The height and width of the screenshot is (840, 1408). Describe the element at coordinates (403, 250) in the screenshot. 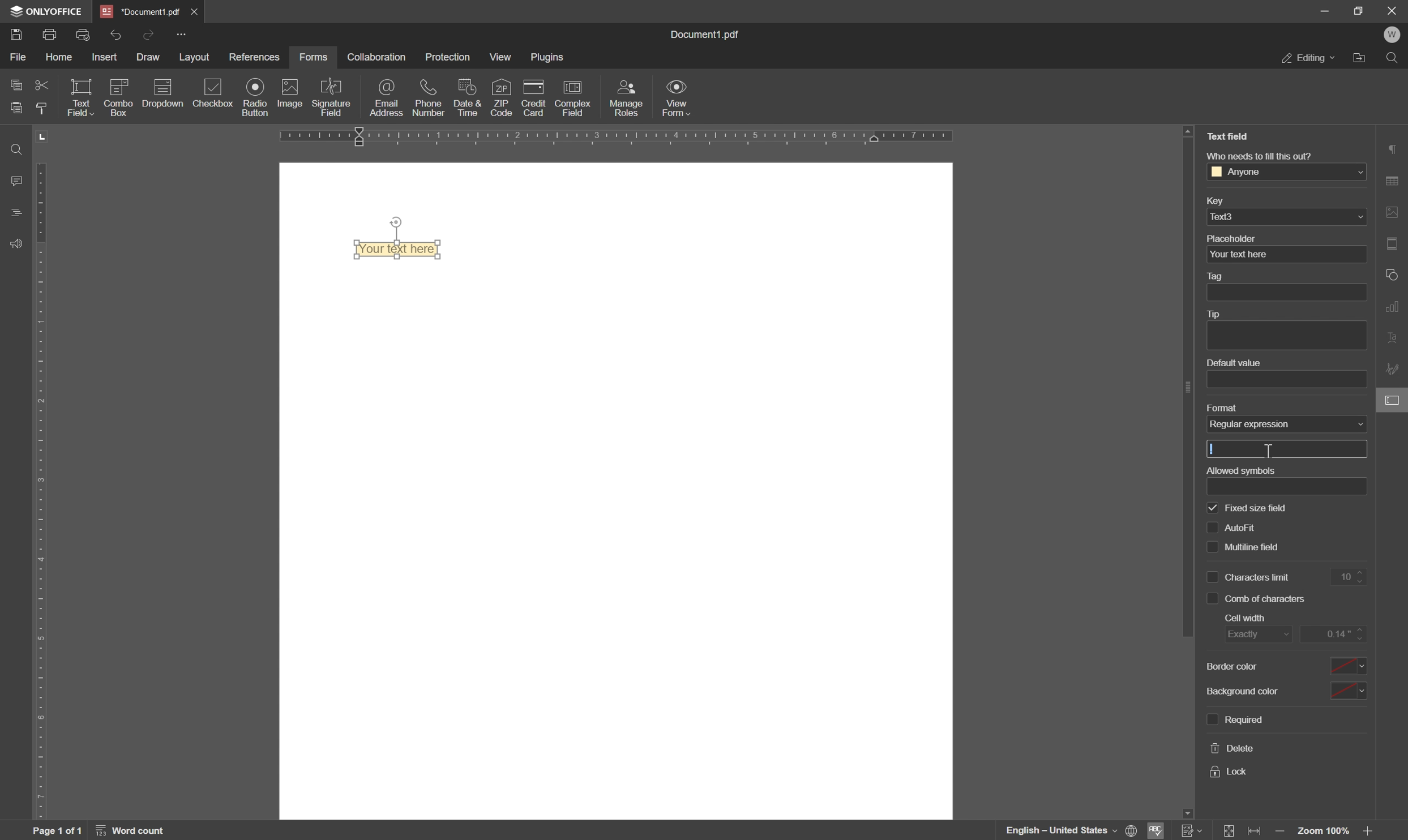

I see `Text field` at that location.